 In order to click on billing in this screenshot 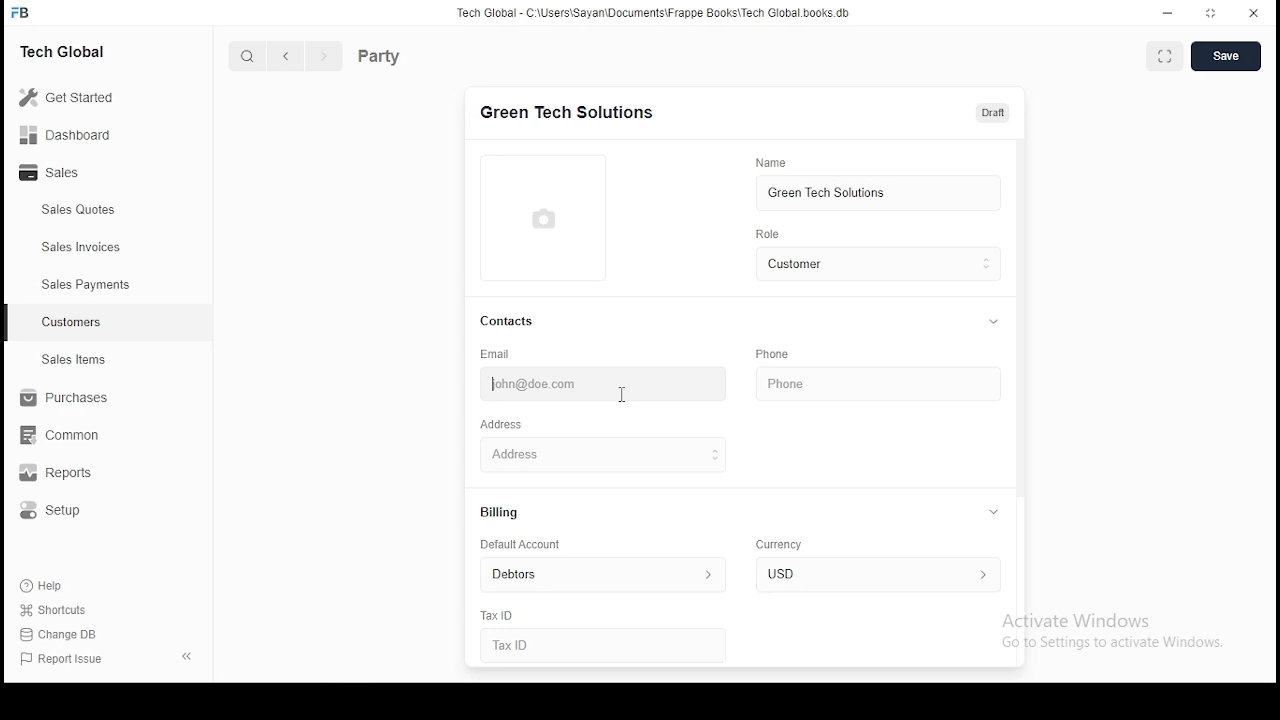, I will do `click(501, 514)`.